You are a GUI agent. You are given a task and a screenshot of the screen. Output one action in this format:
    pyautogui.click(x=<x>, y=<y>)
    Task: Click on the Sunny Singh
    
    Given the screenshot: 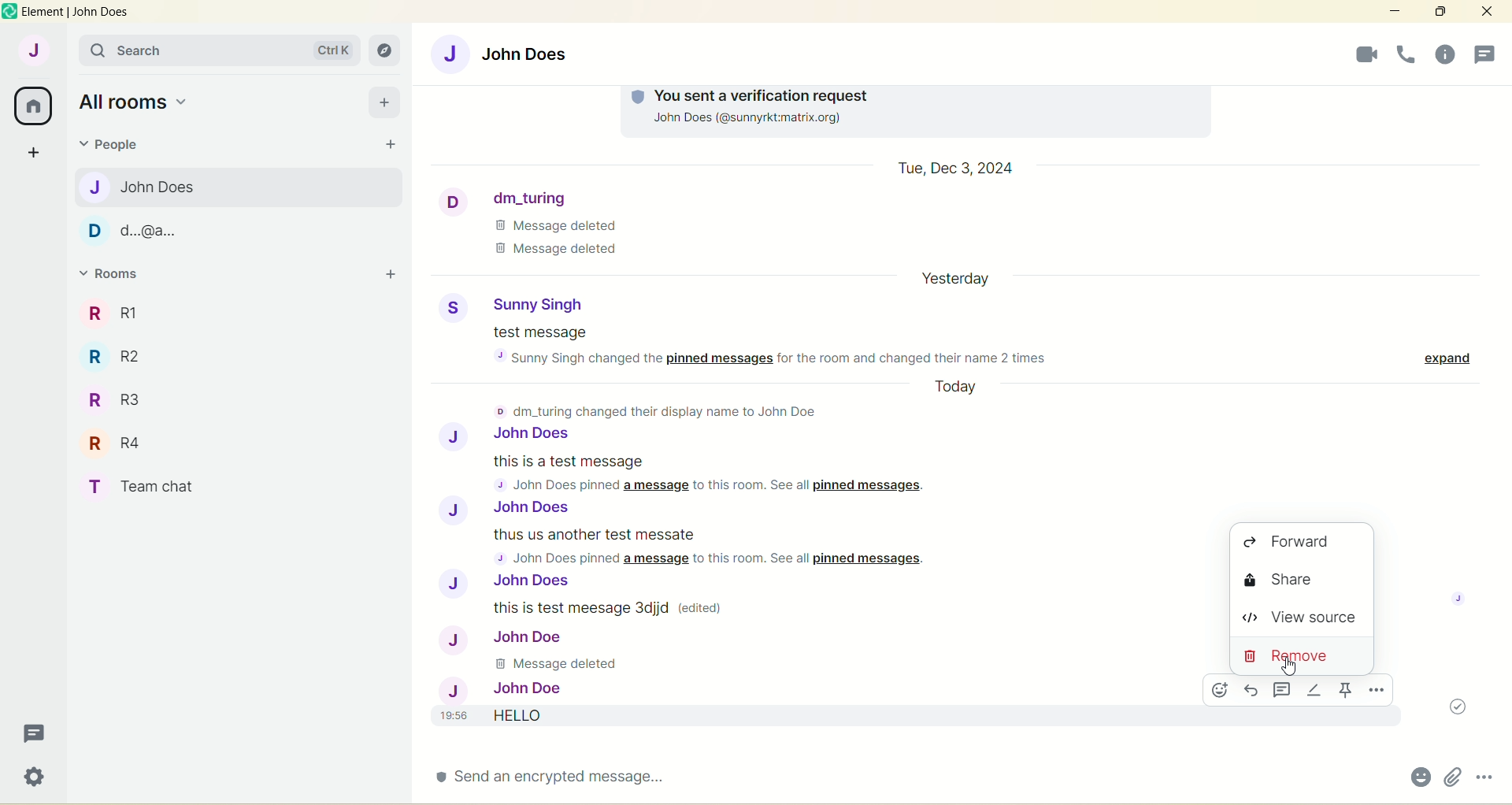 What is the action you would take?
    pyautogui.click(x=513, y=302)
    